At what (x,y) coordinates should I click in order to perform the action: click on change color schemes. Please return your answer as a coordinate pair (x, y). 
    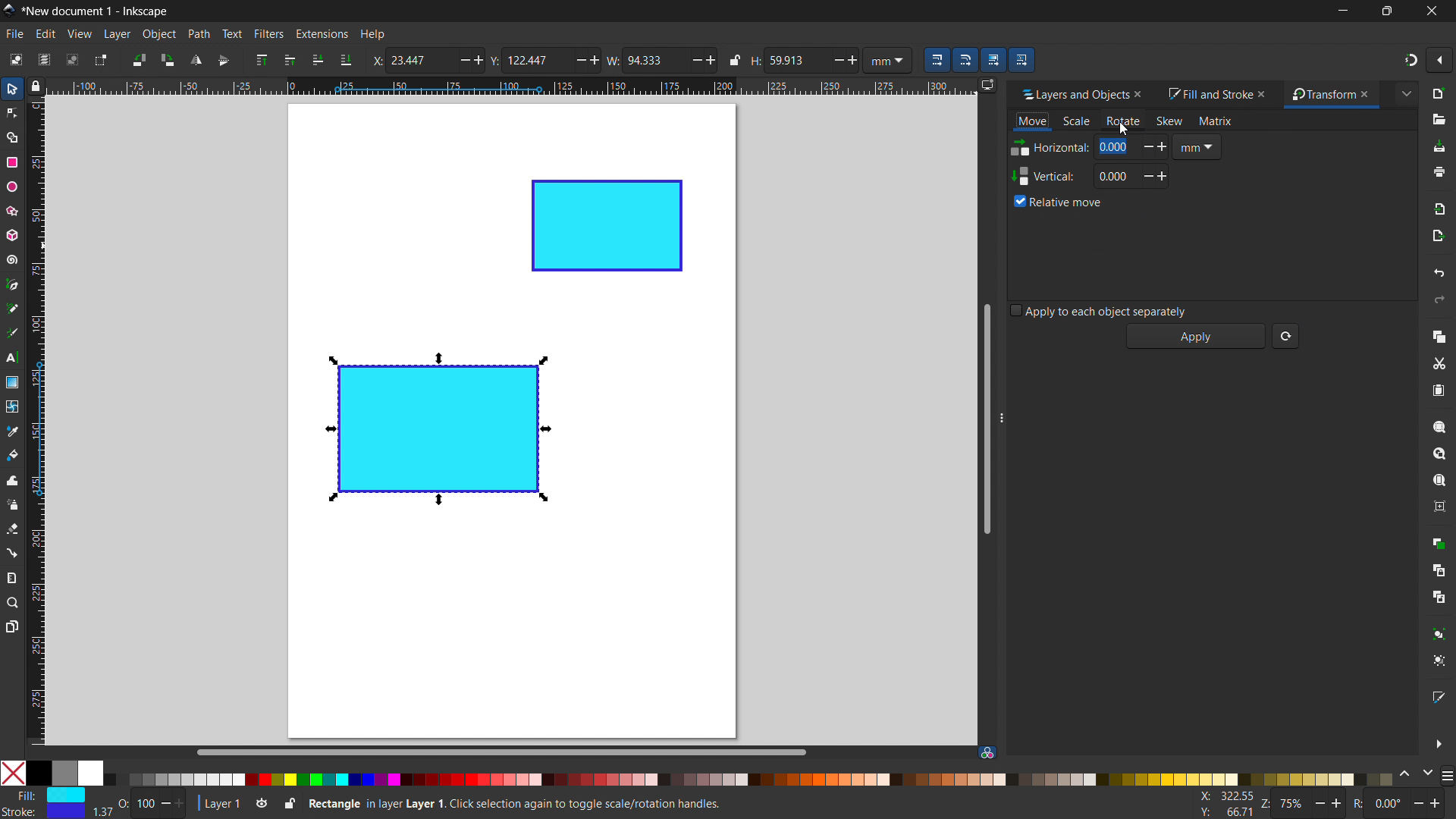
    Looking at the image, I should click on (1415, 774).